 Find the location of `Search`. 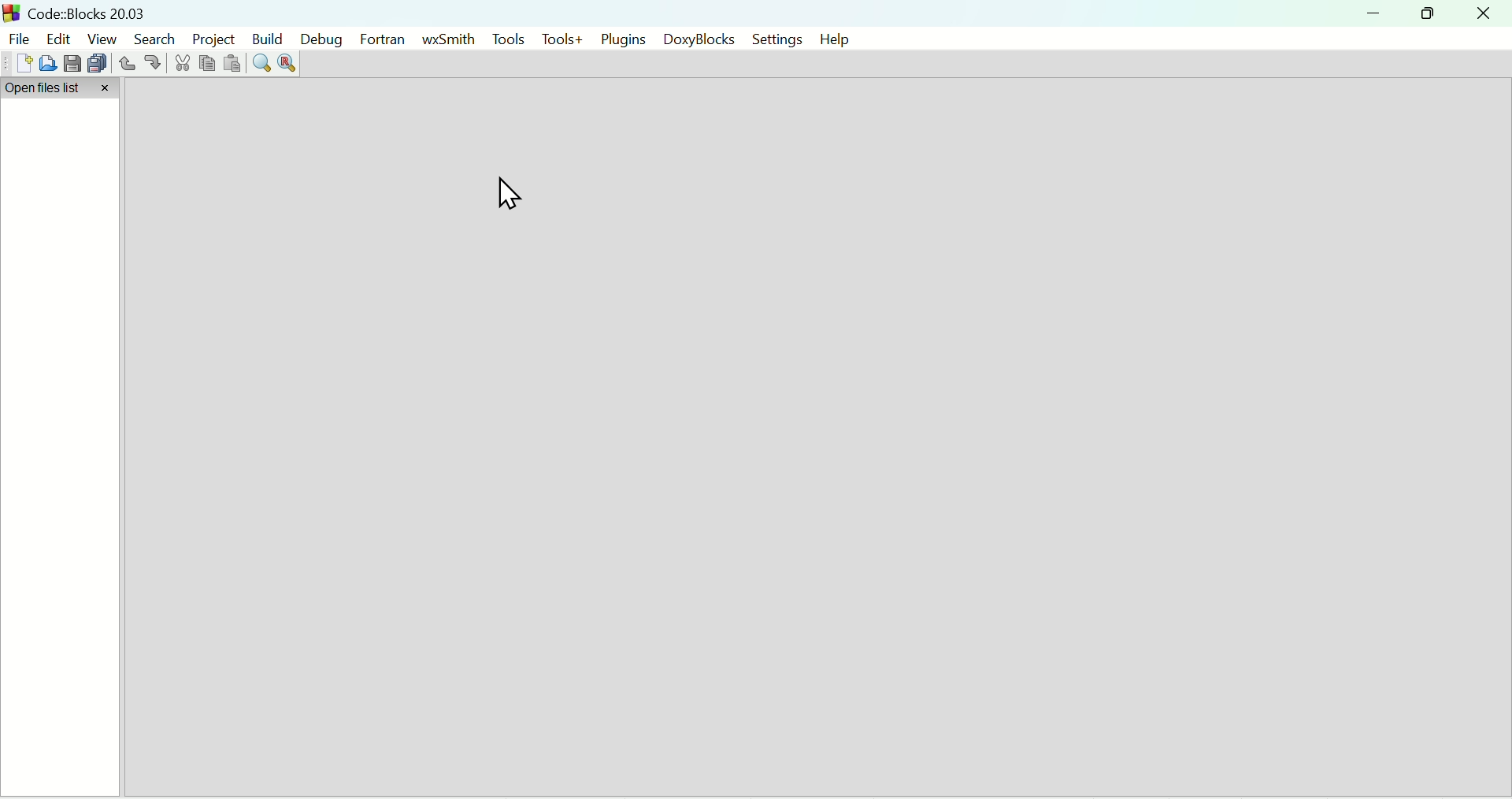

Search is located at coordinates (152, 38).